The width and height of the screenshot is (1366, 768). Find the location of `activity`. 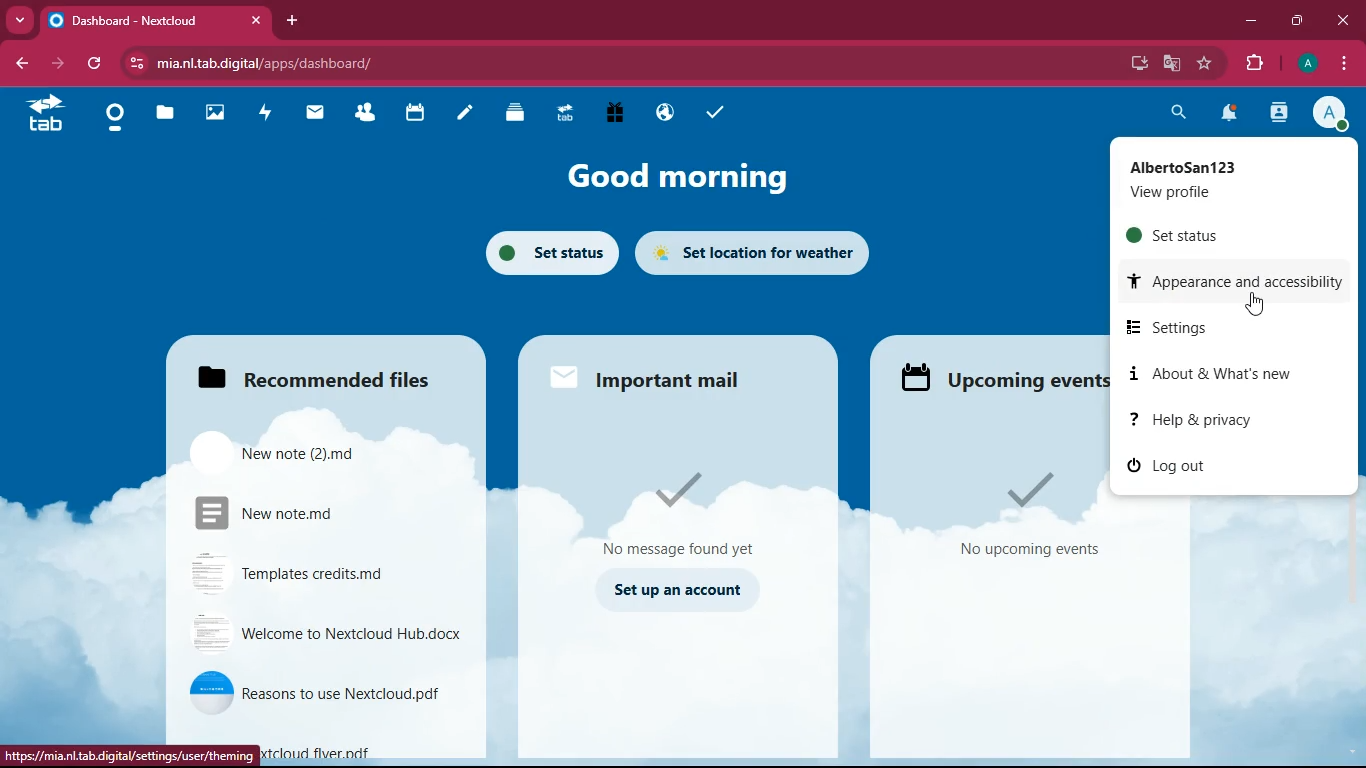

activity is located at coordinates (1276, 115).